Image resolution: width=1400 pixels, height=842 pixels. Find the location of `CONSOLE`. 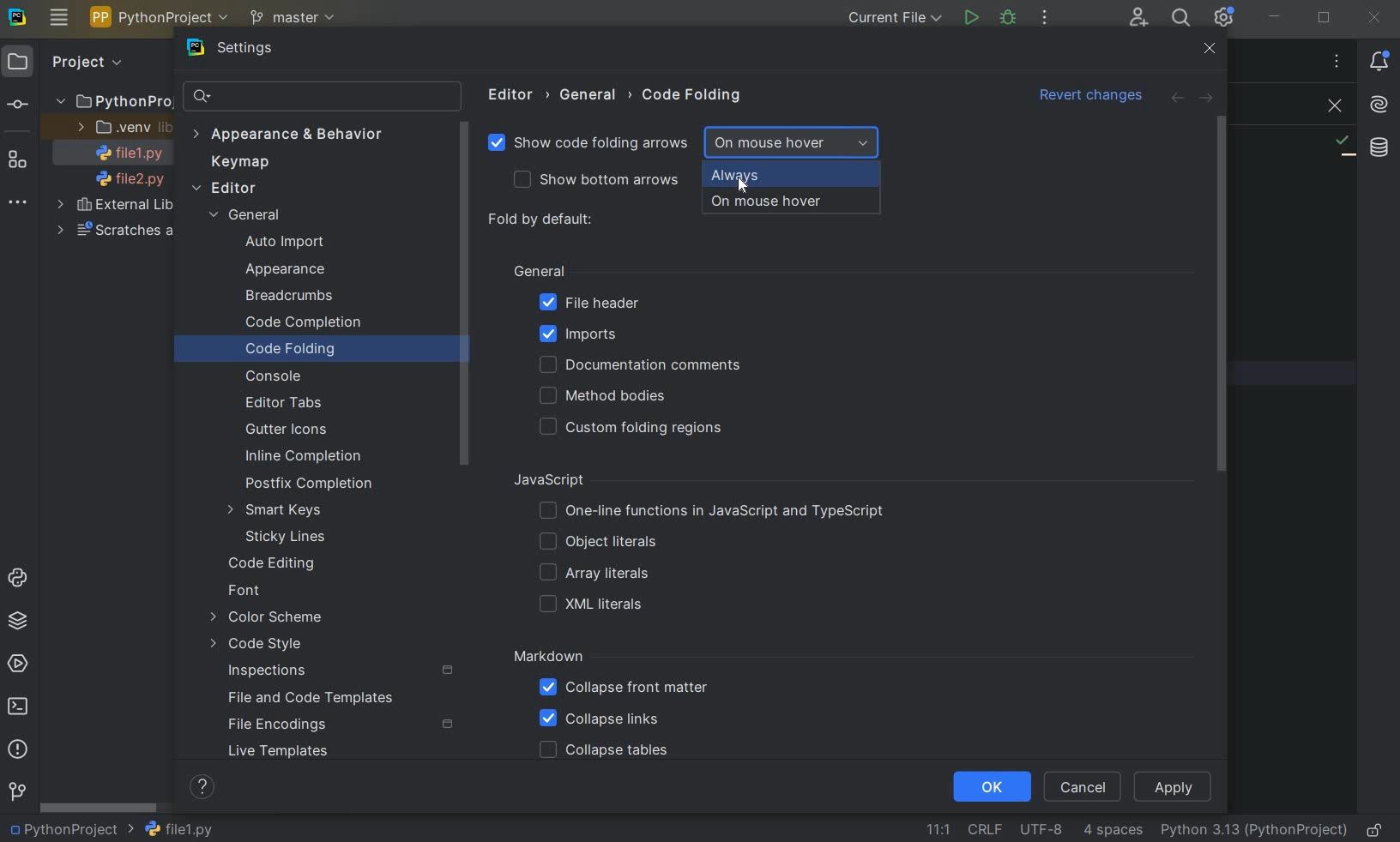

CONSOLE is located at coordinates (280, 376).